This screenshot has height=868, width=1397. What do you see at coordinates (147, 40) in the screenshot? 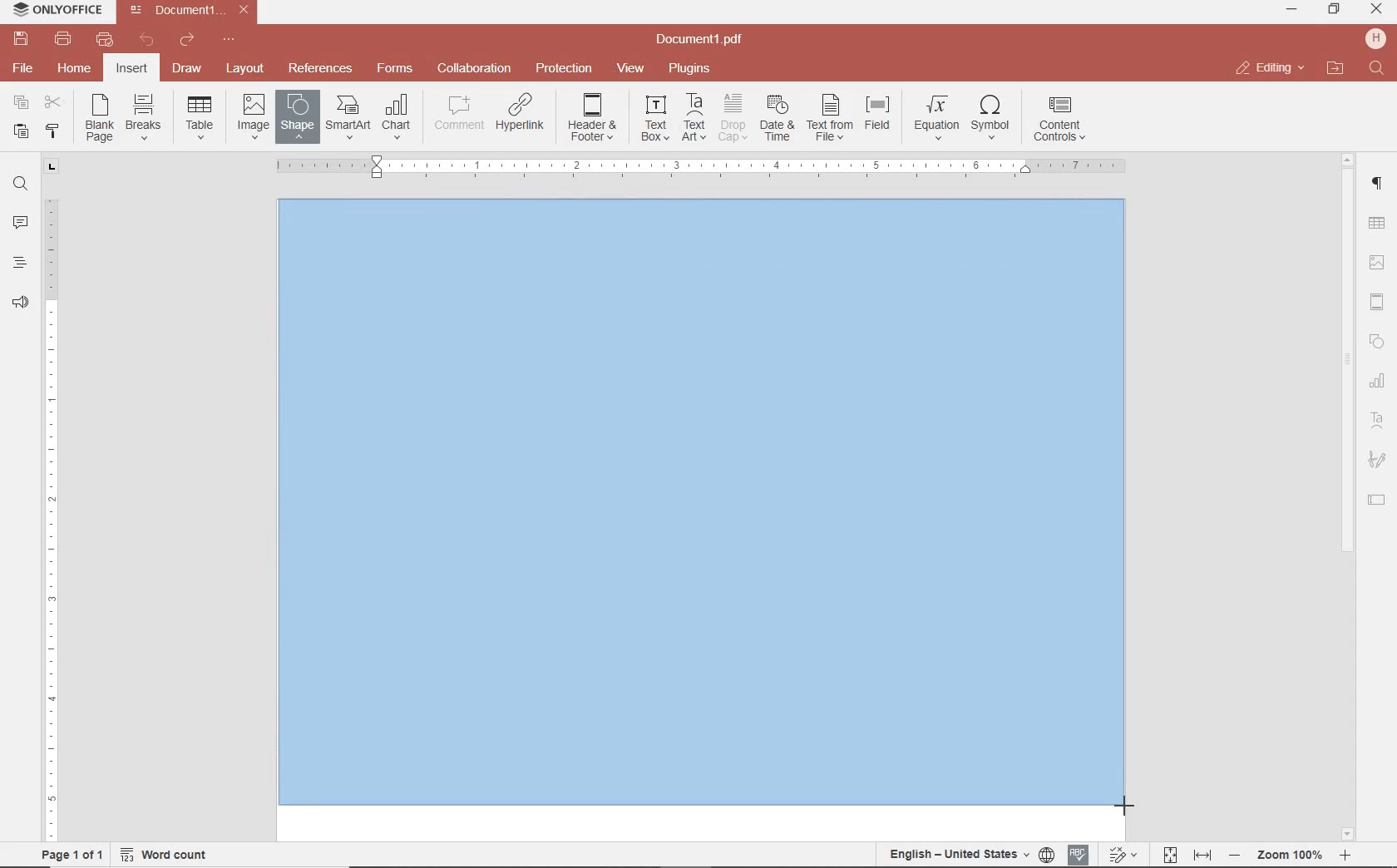
I see `undo` at bounding box center [147, 40].